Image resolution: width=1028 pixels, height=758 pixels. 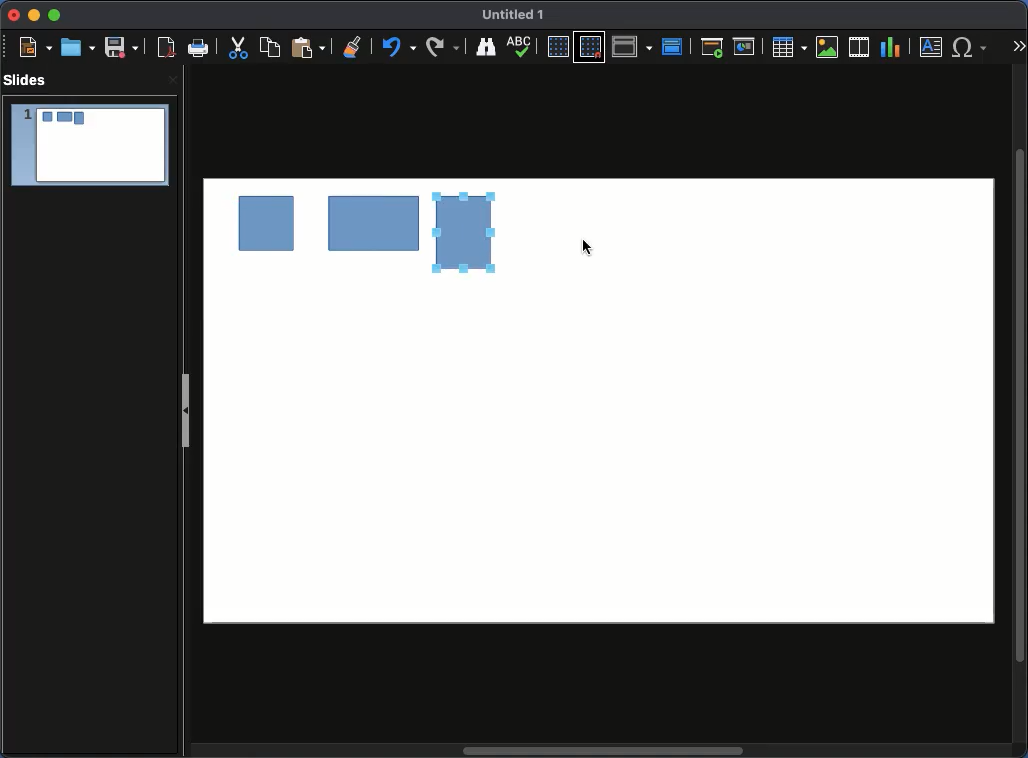 What do you see at coordinates (585, 250) in the screenshot?
I see `cursor` at bounding box center [585, 250].